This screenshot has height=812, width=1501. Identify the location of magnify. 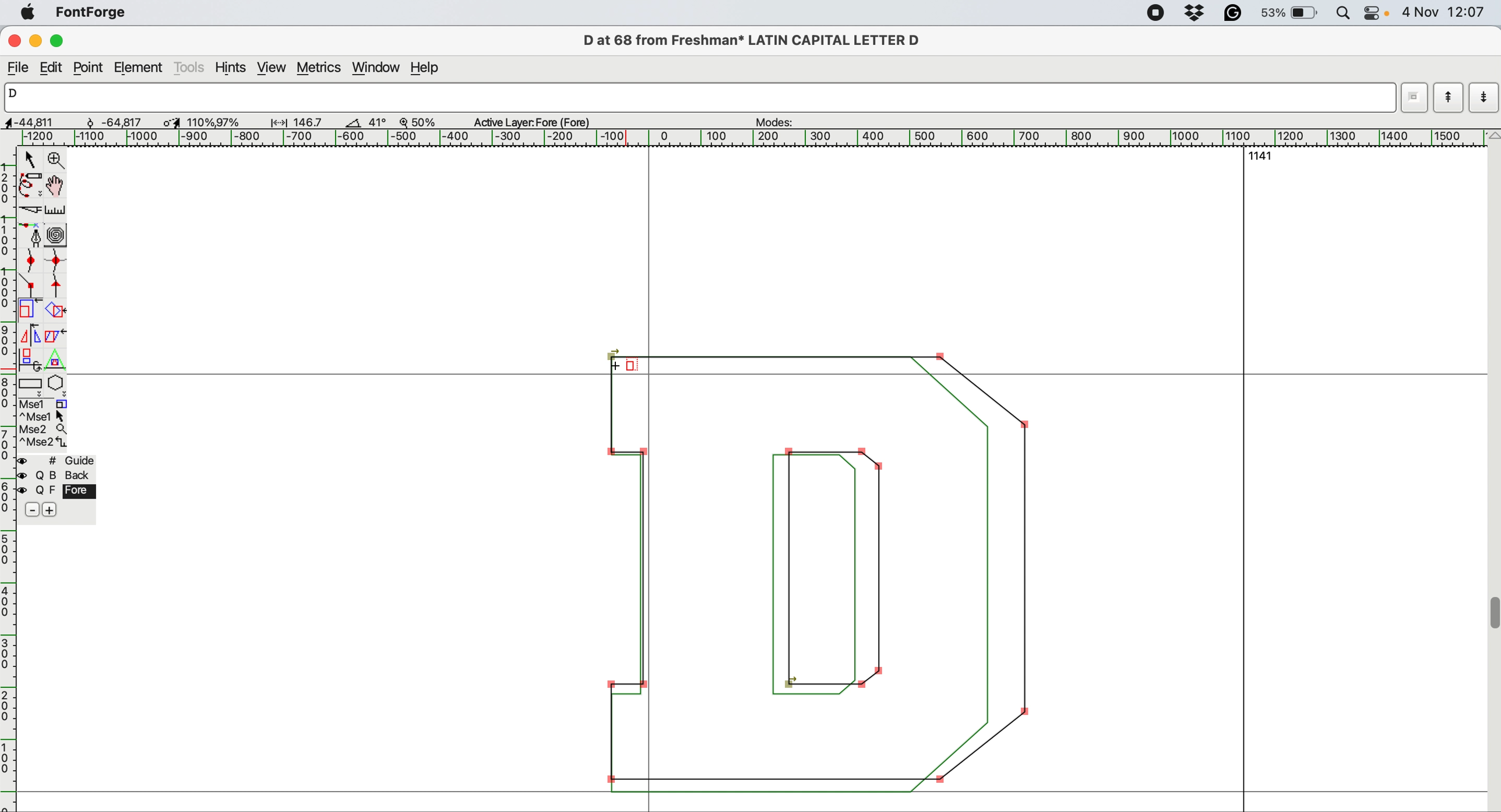
(56, 160).